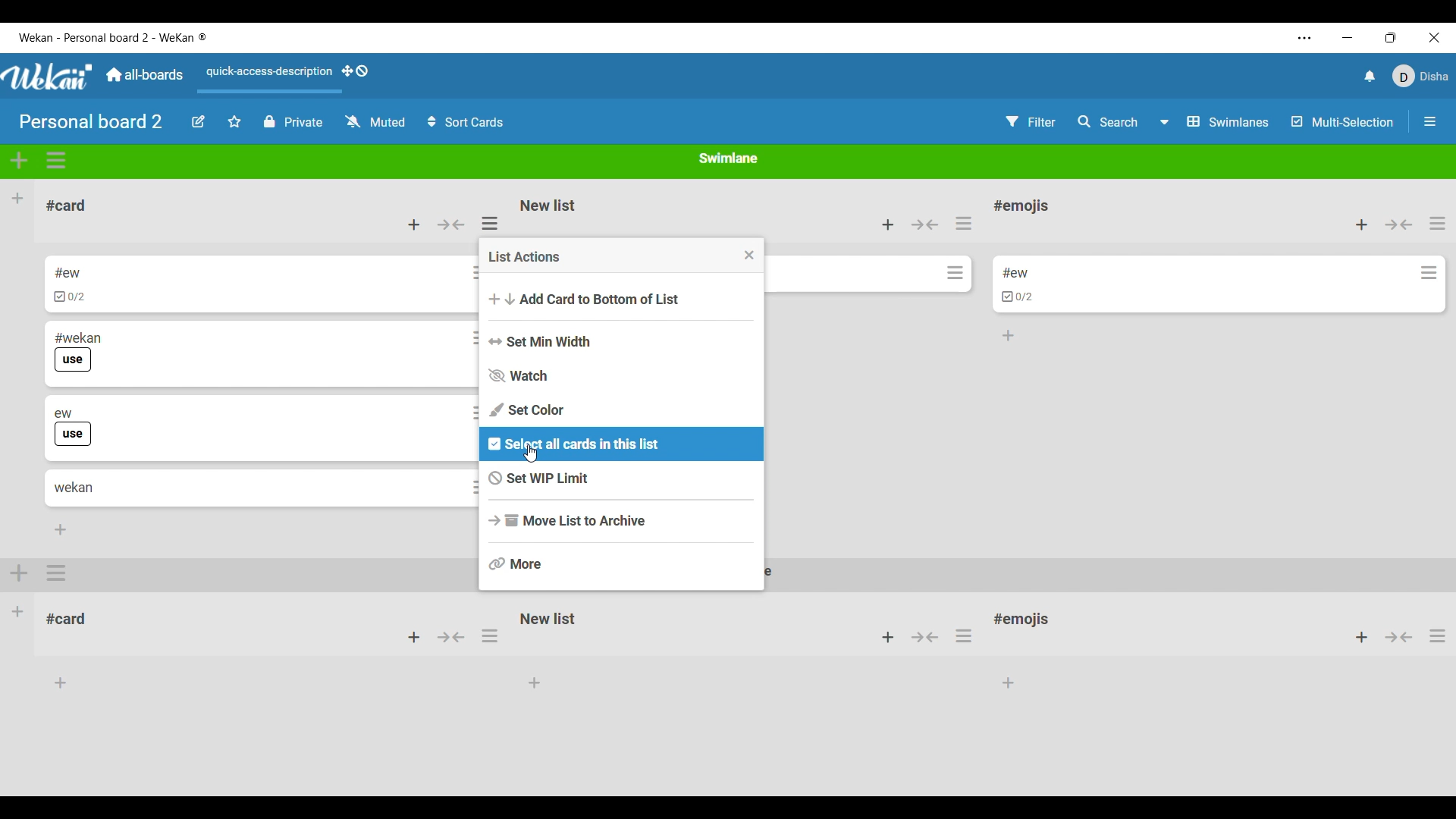 This screenshot has width=1456, height=819. Describe the element at coordinates (235, 121) in the screenshot. I see `Star board` at that location.